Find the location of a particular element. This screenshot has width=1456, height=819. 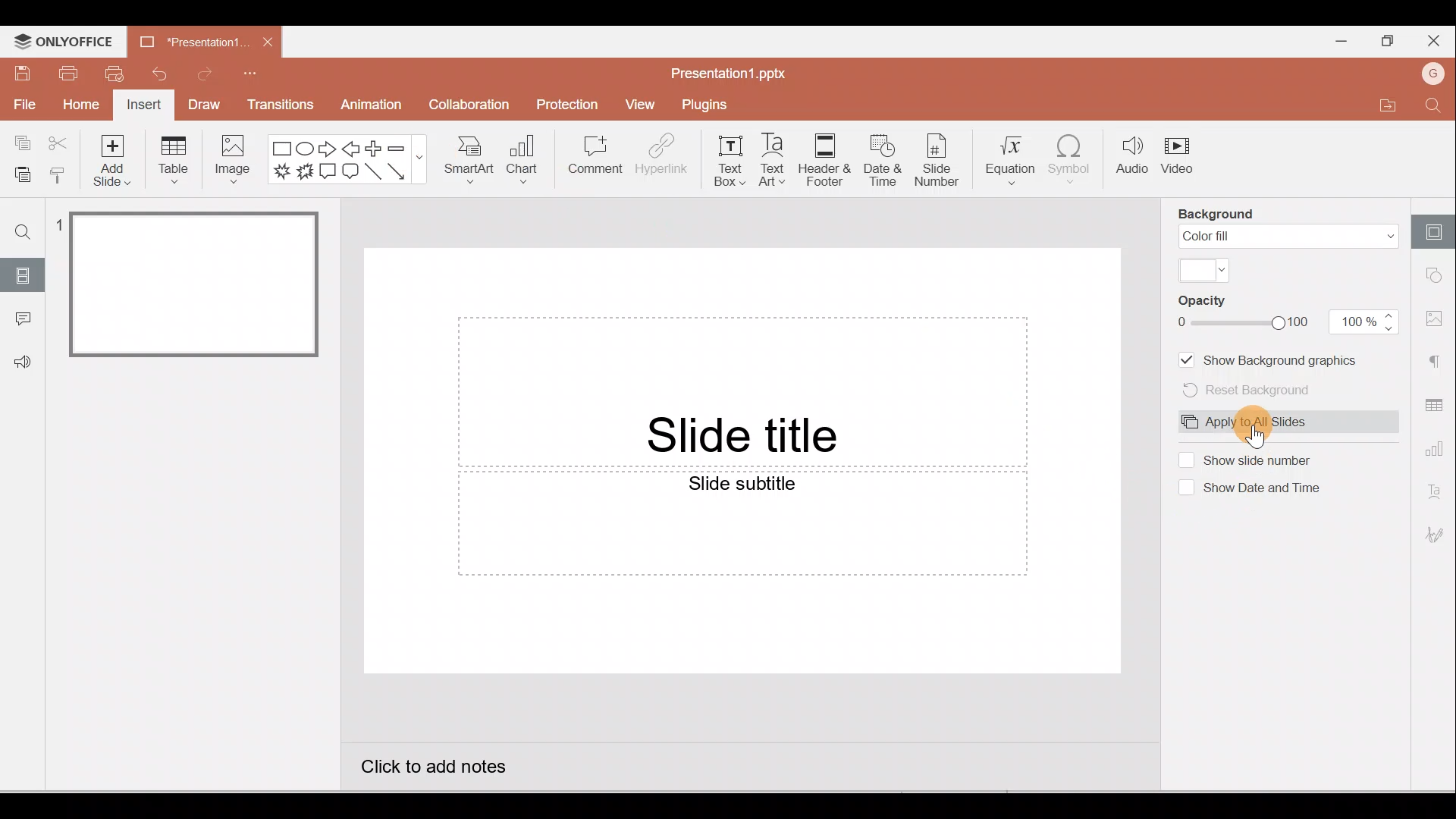

Show slide number is located at coordinates (1265, 459).